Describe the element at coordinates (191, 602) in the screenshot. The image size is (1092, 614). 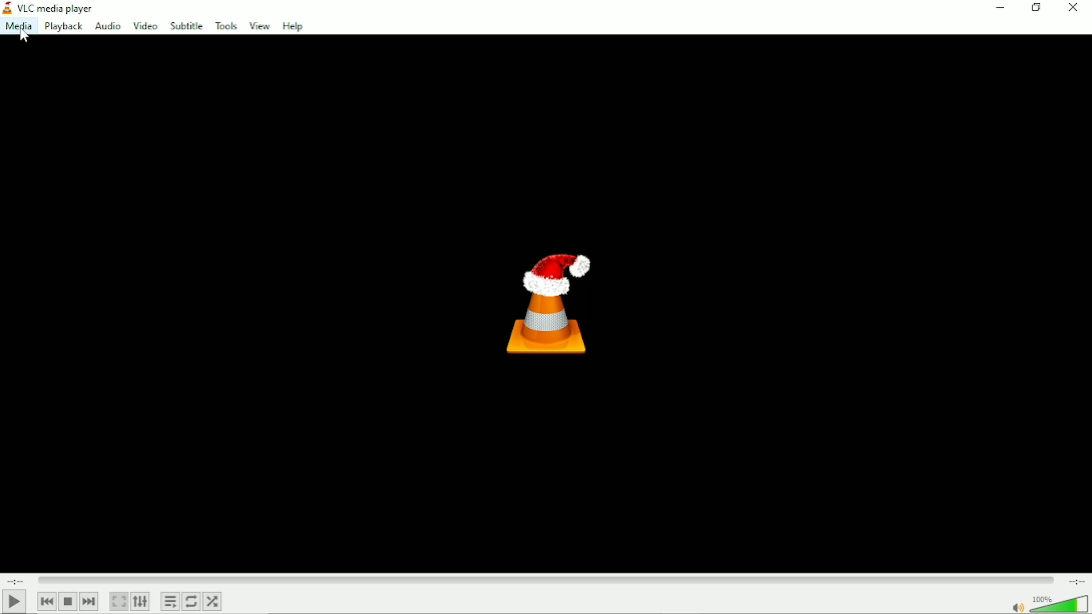
I see `Toggle between loop all, loop one and no loop` at that location.